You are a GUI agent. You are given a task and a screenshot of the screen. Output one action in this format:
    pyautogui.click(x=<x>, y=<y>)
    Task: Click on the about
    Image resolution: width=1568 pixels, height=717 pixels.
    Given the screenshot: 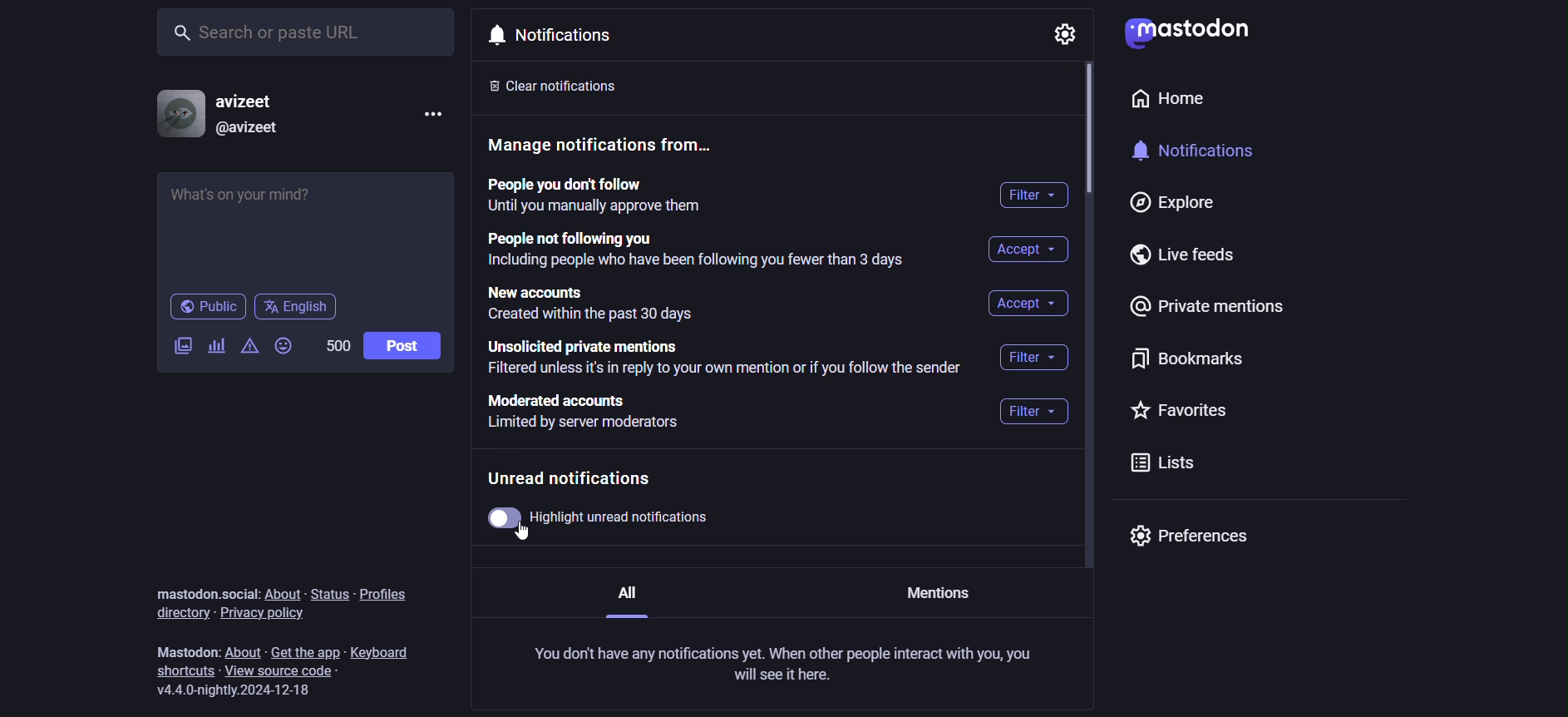 What is the action you would take?
    pyautogui.click(x=245, y=652)
    